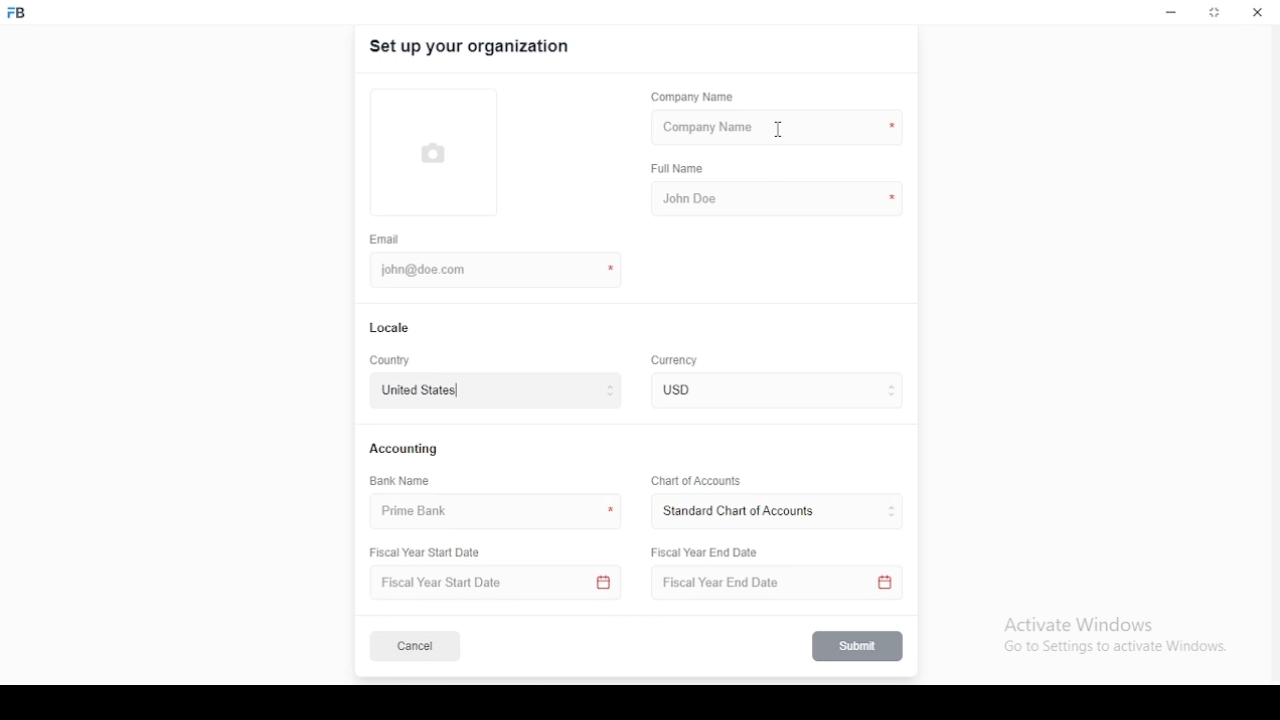  Describe the element at coordinates (471, 47) in the screenshot. I see `set up your organization` at that location.